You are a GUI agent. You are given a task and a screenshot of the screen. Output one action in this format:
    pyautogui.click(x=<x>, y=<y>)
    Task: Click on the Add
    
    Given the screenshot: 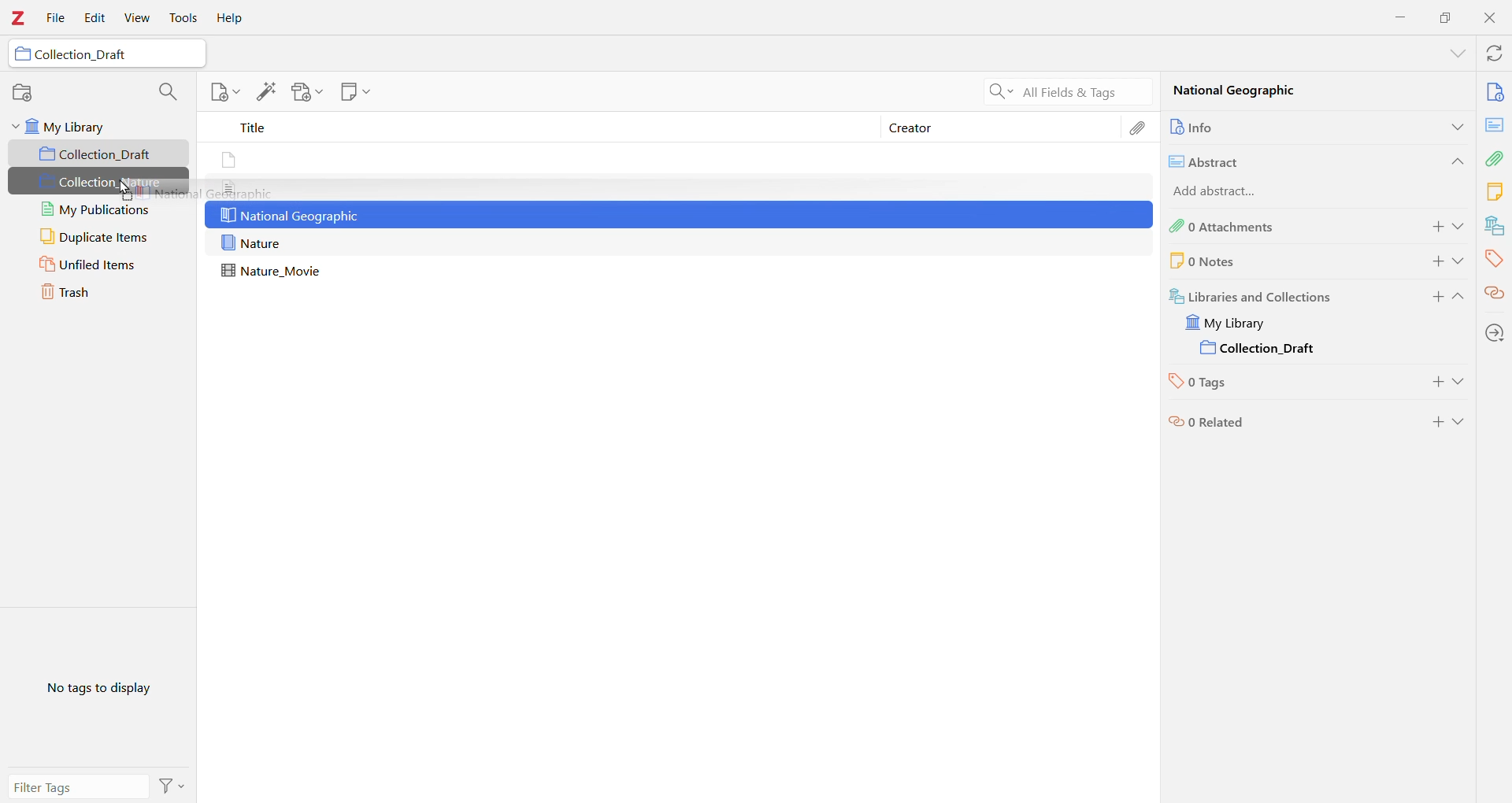 What is the action you would take?
    pyautogui.click(x=1433, y=299)
    